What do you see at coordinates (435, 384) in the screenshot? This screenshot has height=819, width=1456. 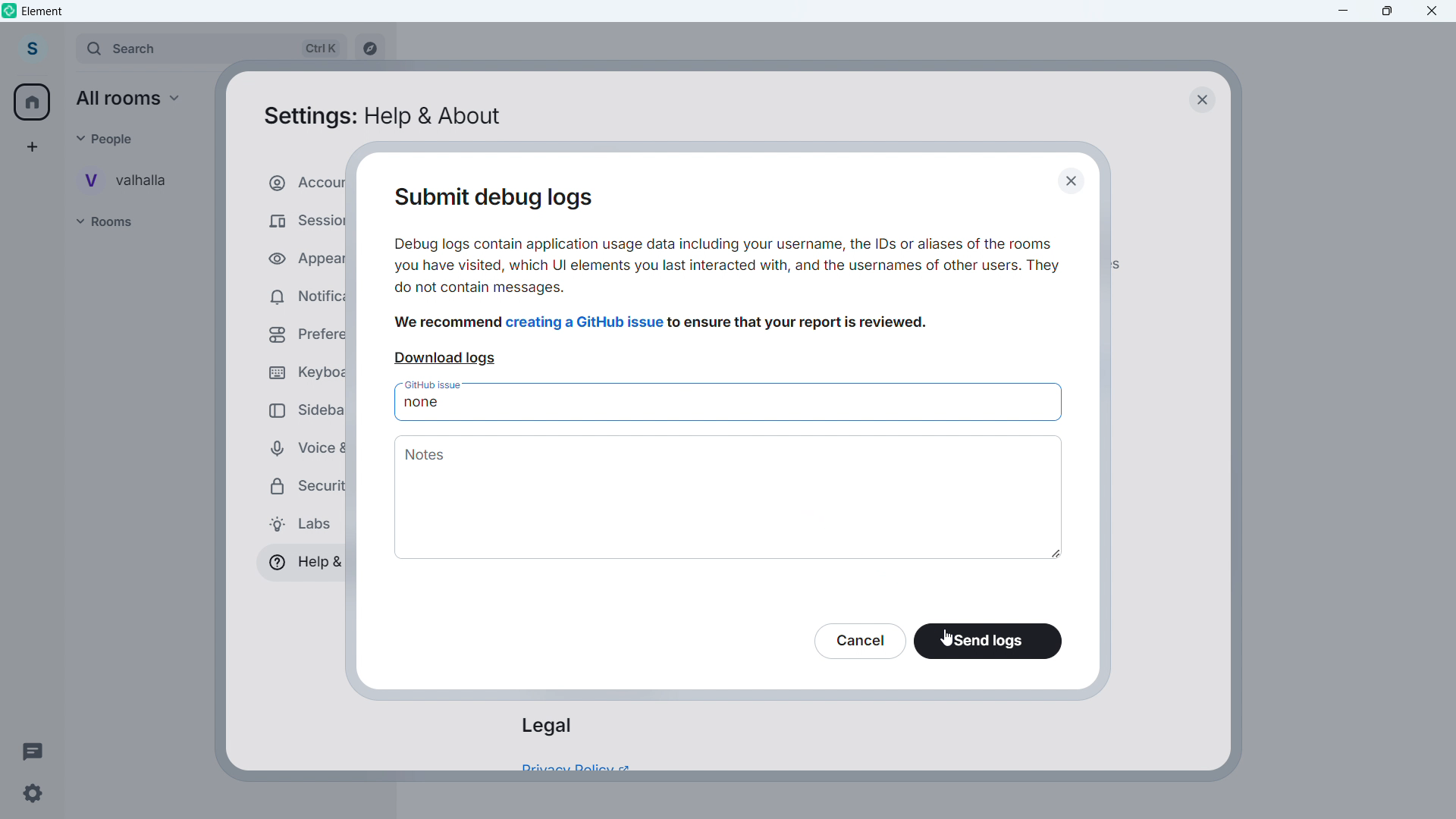 I see `github issue` at bounding box center [435, 384].